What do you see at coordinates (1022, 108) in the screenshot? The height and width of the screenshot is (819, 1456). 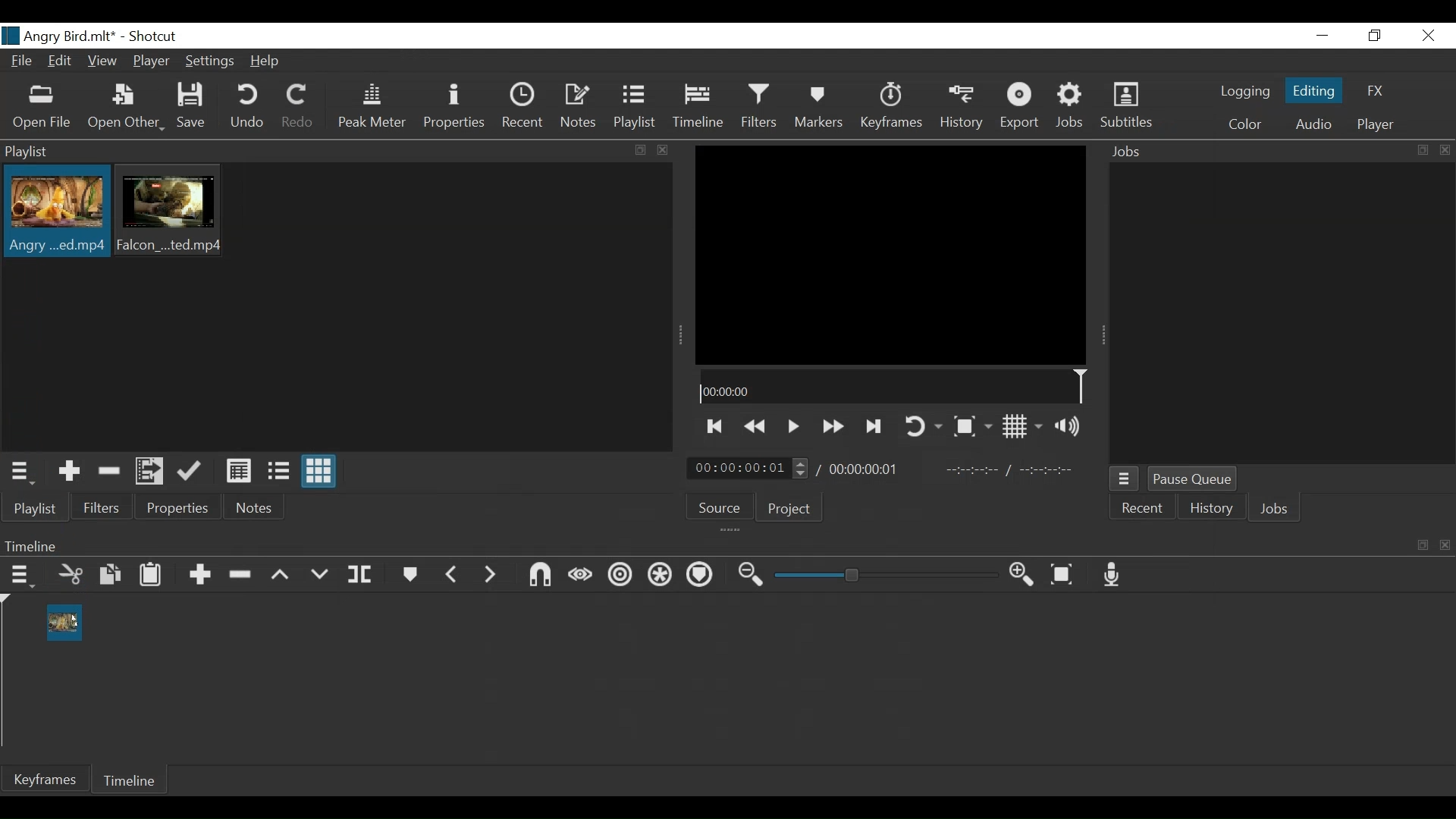 I see `Export` at bounding box center [1022, 108].